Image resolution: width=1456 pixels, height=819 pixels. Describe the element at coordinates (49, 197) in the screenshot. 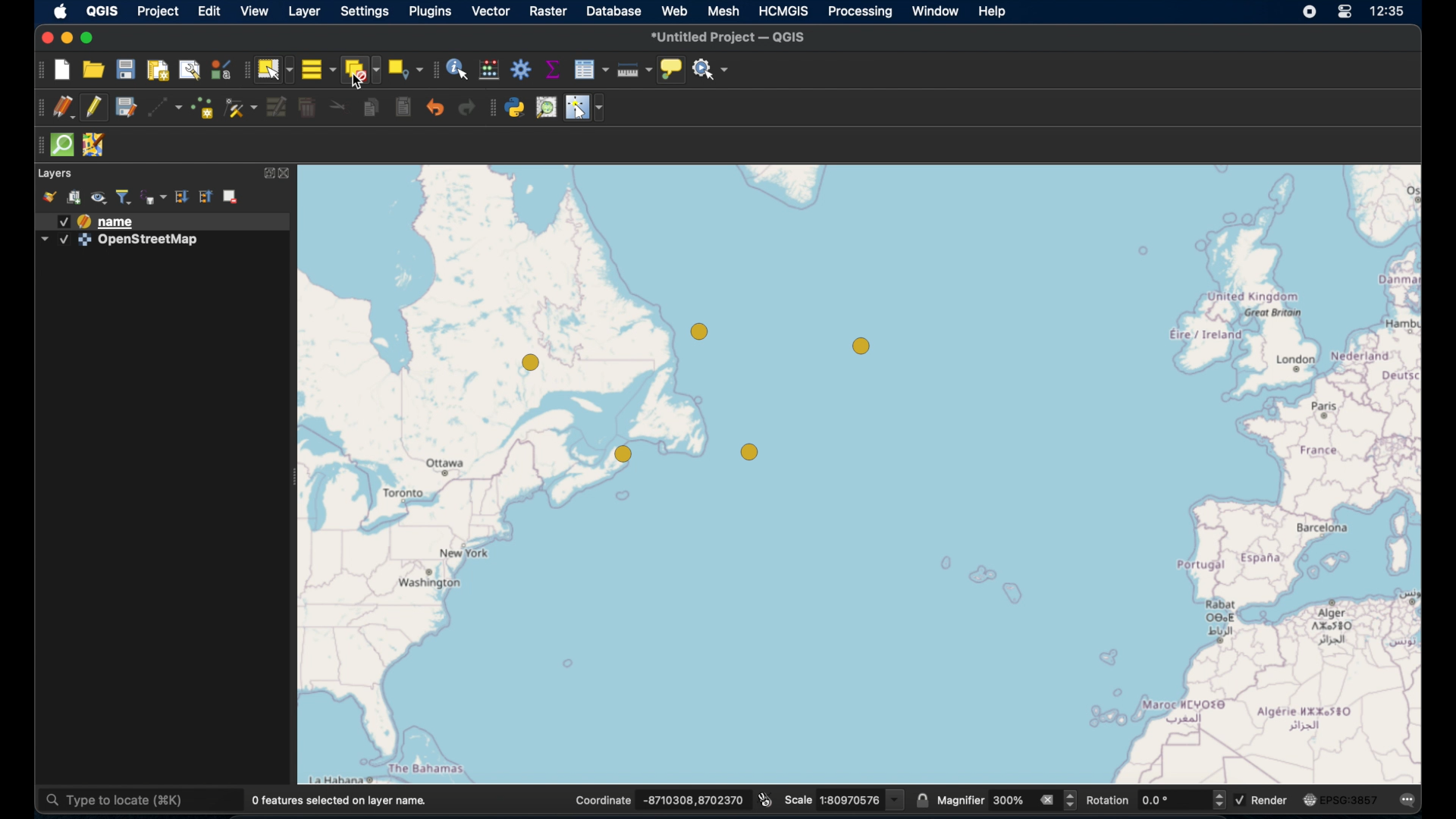

I see `open layer styling panel` at that location.